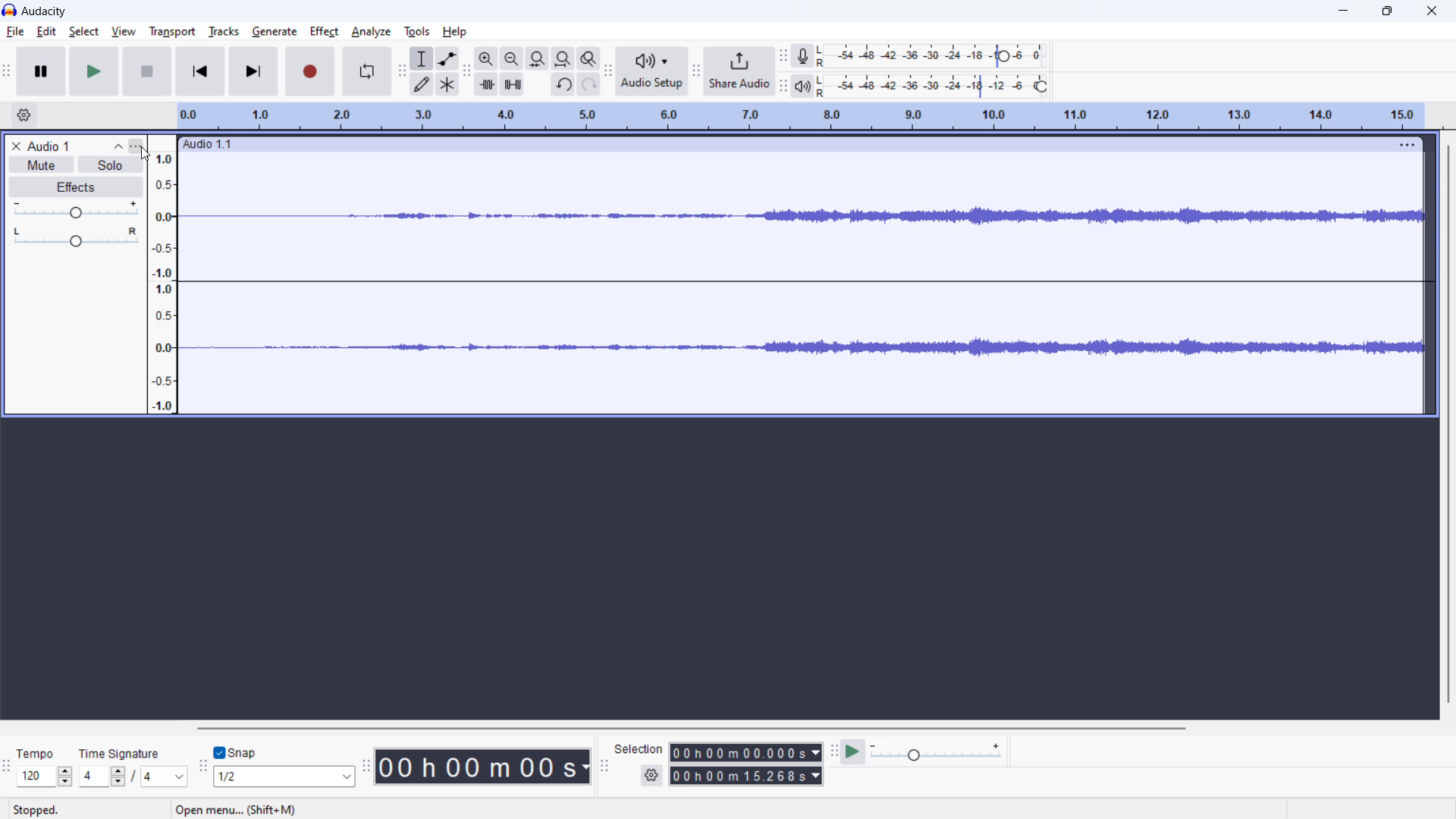 This screenshot has height=819, width=1456. Describe the element at coordinates (366, 71) in the screenshot. I see `enable looping` at that location.